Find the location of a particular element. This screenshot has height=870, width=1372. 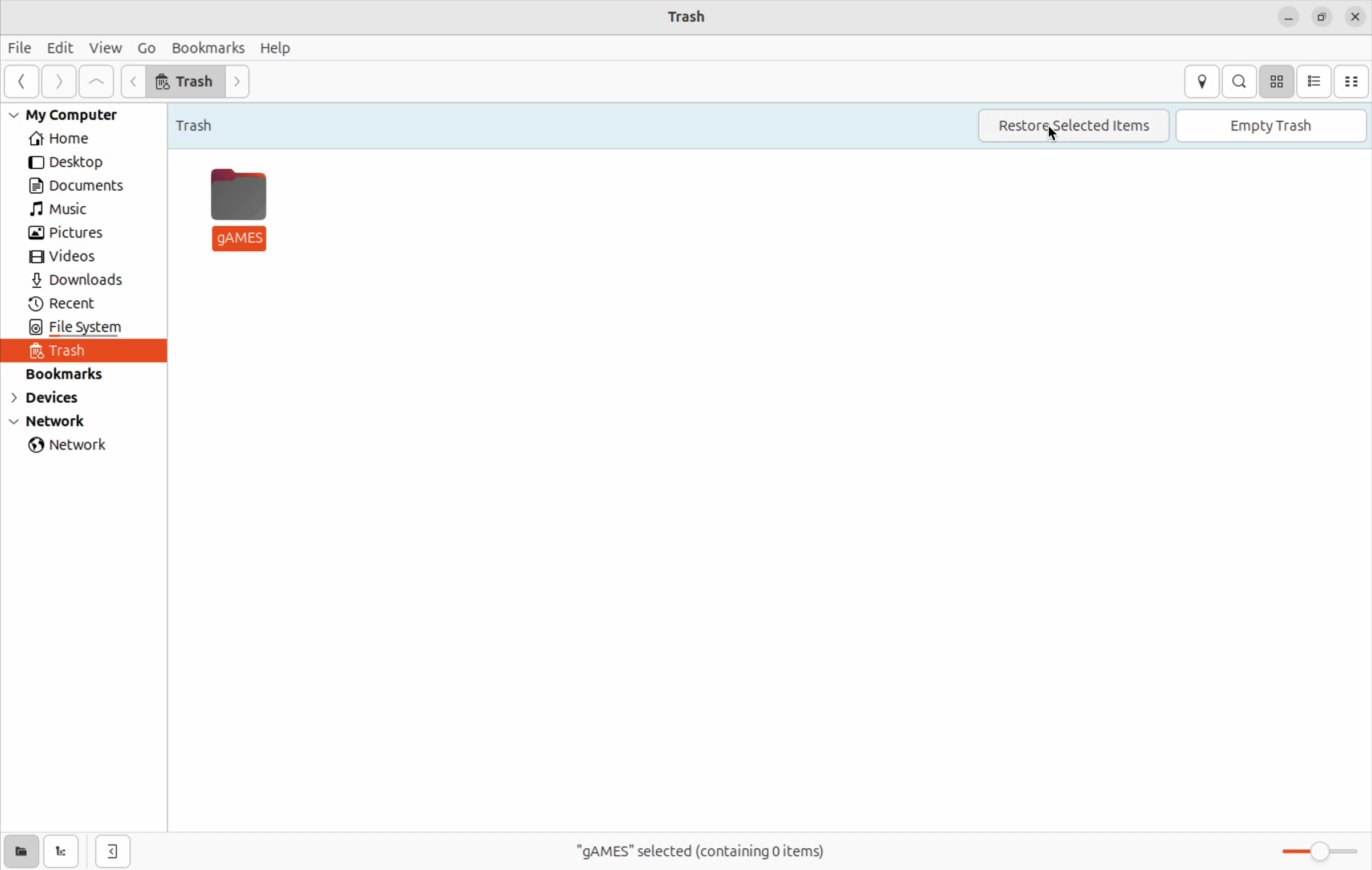

music is located at coordinates (72, 210).